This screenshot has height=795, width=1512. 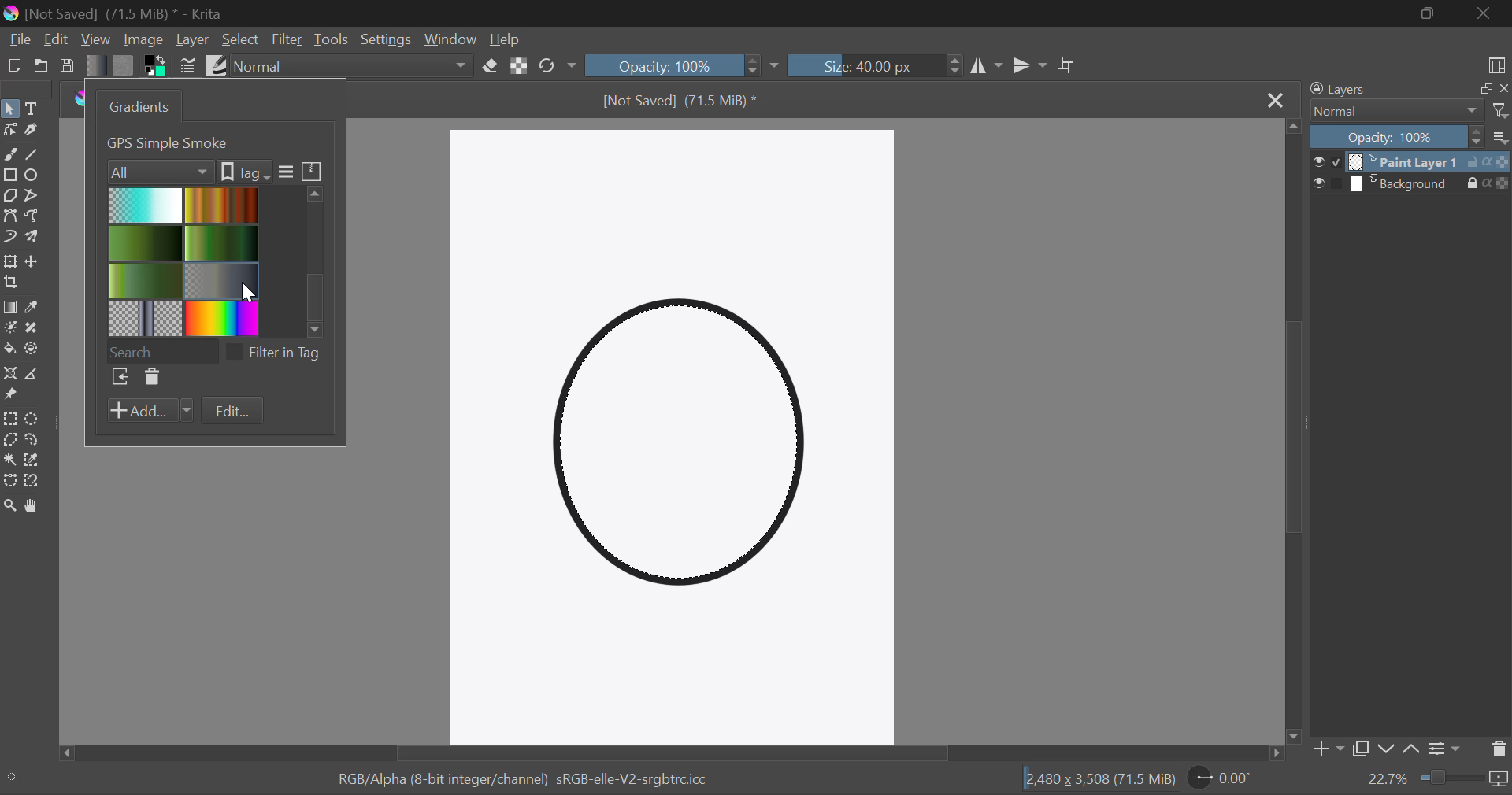 What do you see at coordinates (1410, 749) in the screenshot?
I see `Move layer up` at bounding box center [1410, 749].